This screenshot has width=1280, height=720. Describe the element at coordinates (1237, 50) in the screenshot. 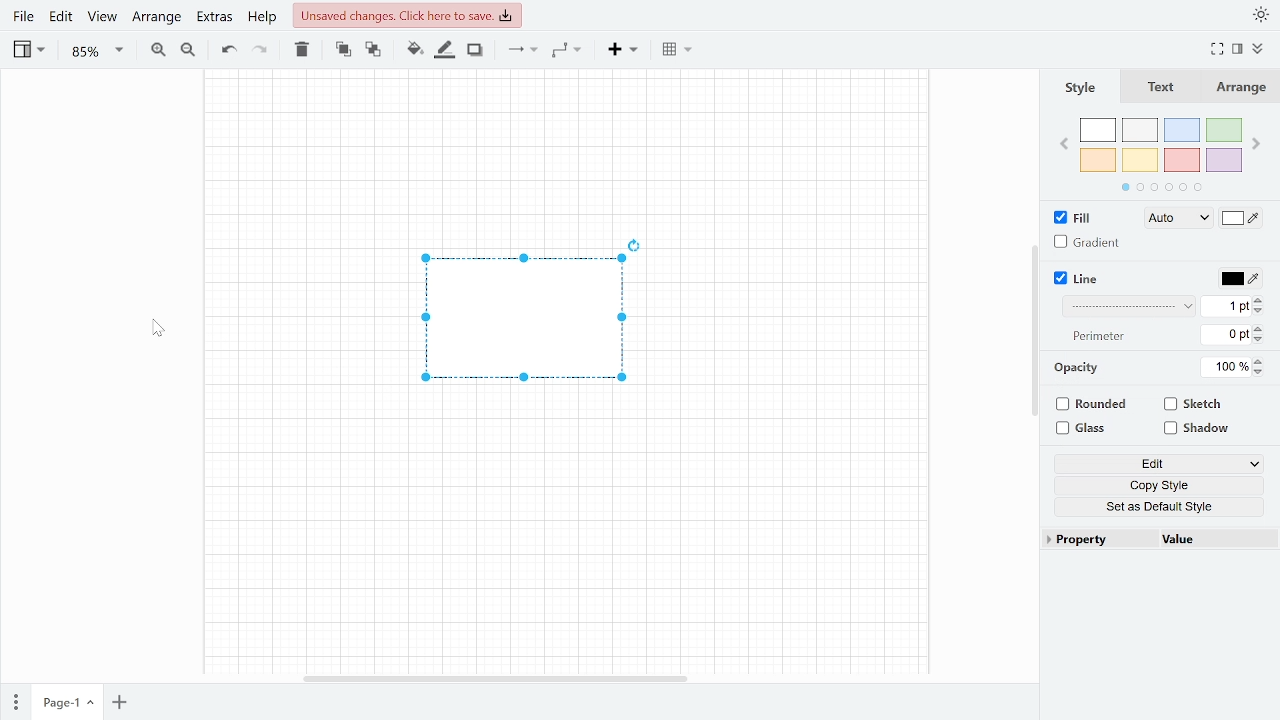

I see `Format` at that location.